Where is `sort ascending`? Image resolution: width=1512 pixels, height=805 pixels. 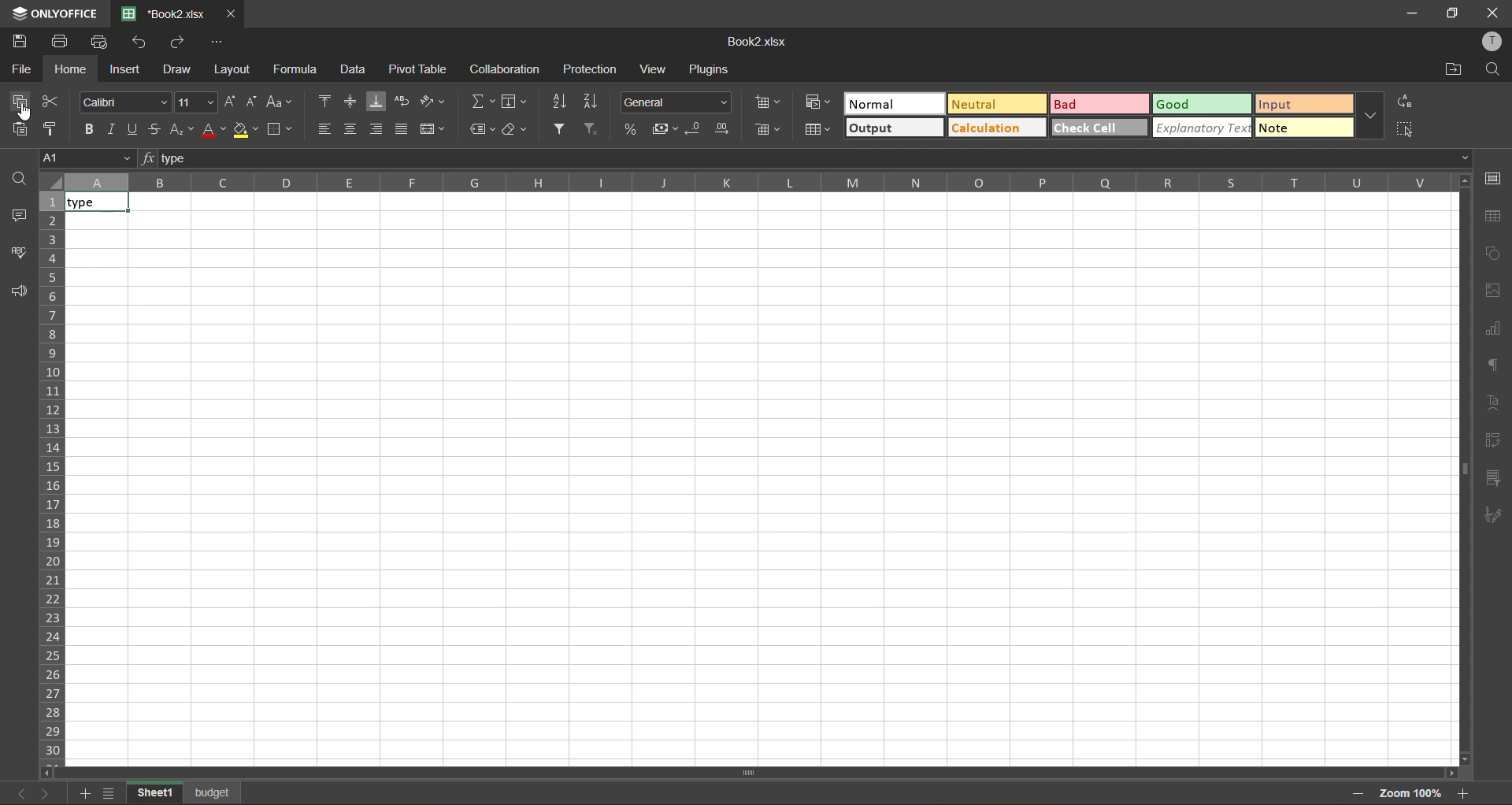
sort ascending is located at coordinates (559, 104).